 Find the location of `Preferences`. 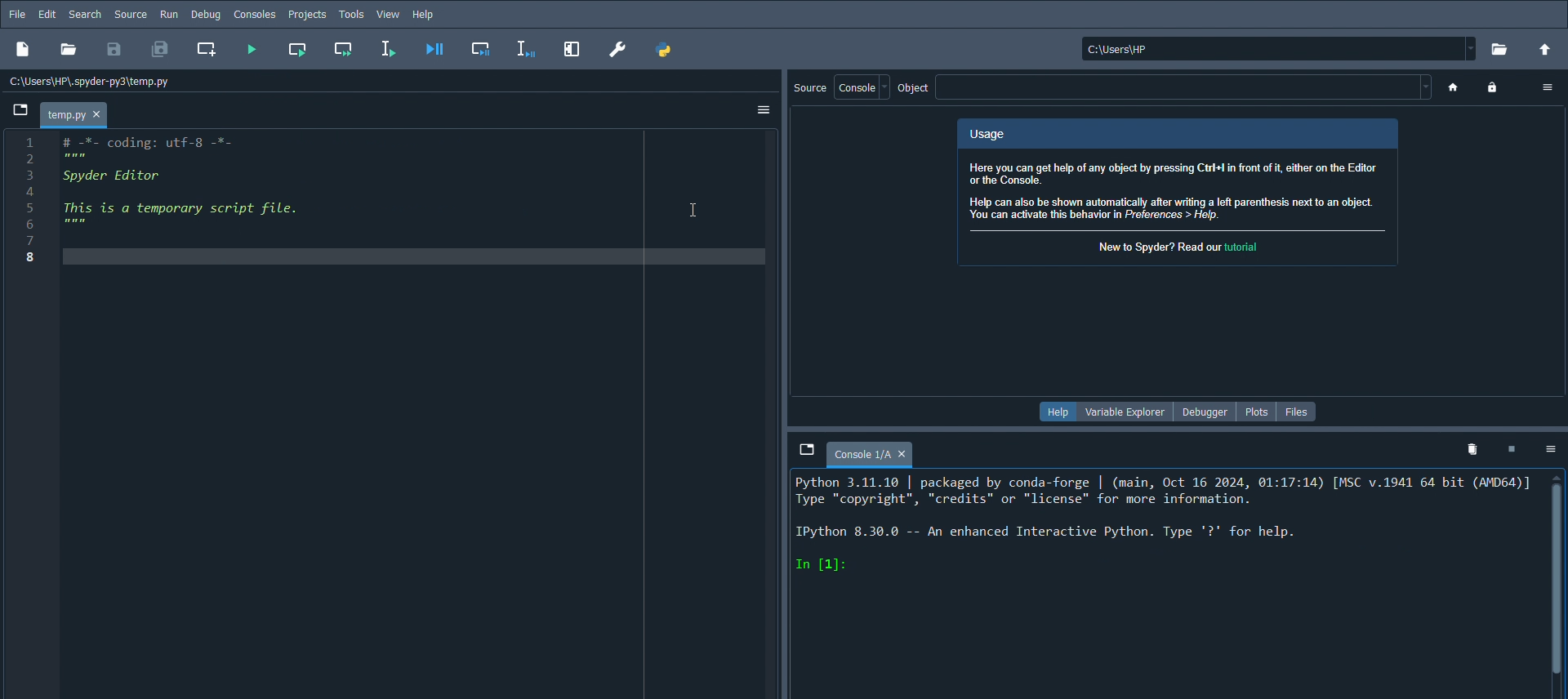

Preferences is located at coordinates (619, 48).